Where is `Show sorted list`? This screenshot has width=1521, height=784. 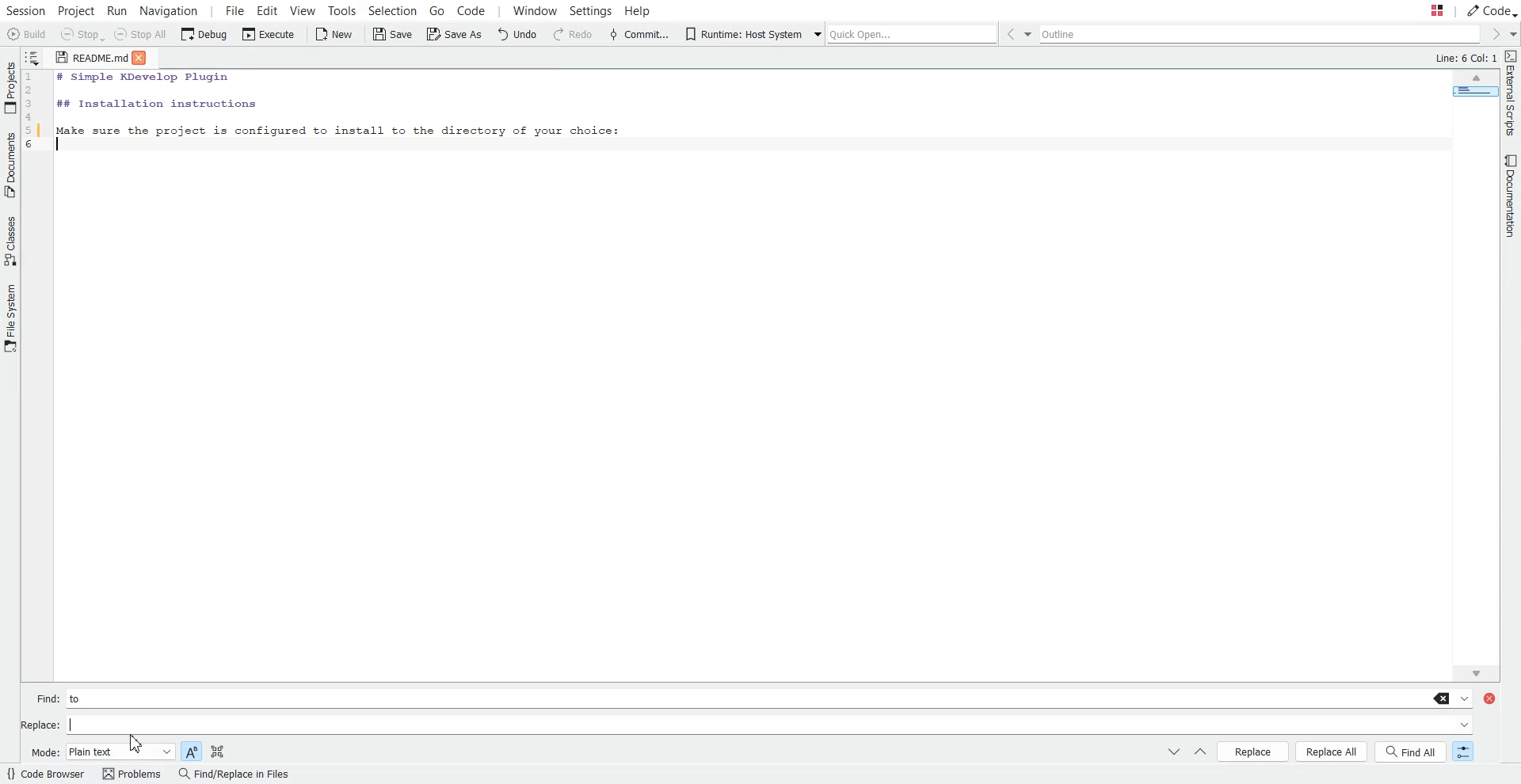 Show sorted list is located at coordinates (33, 56).